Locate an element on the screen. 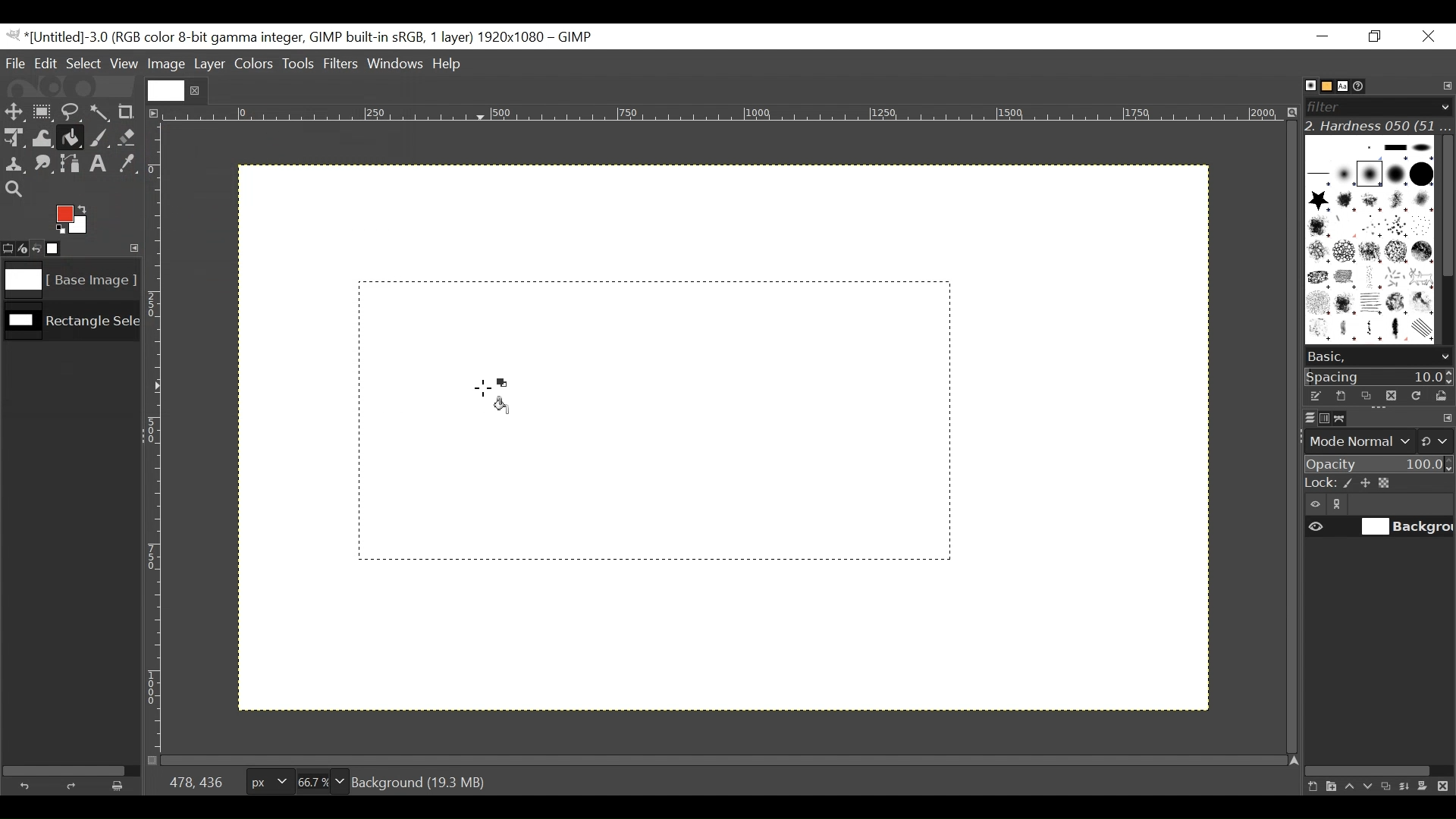 Image resolution: width=1456 pixels, height=819 pixels. Rectangle Select Tool is located at coordinates (42, 111).